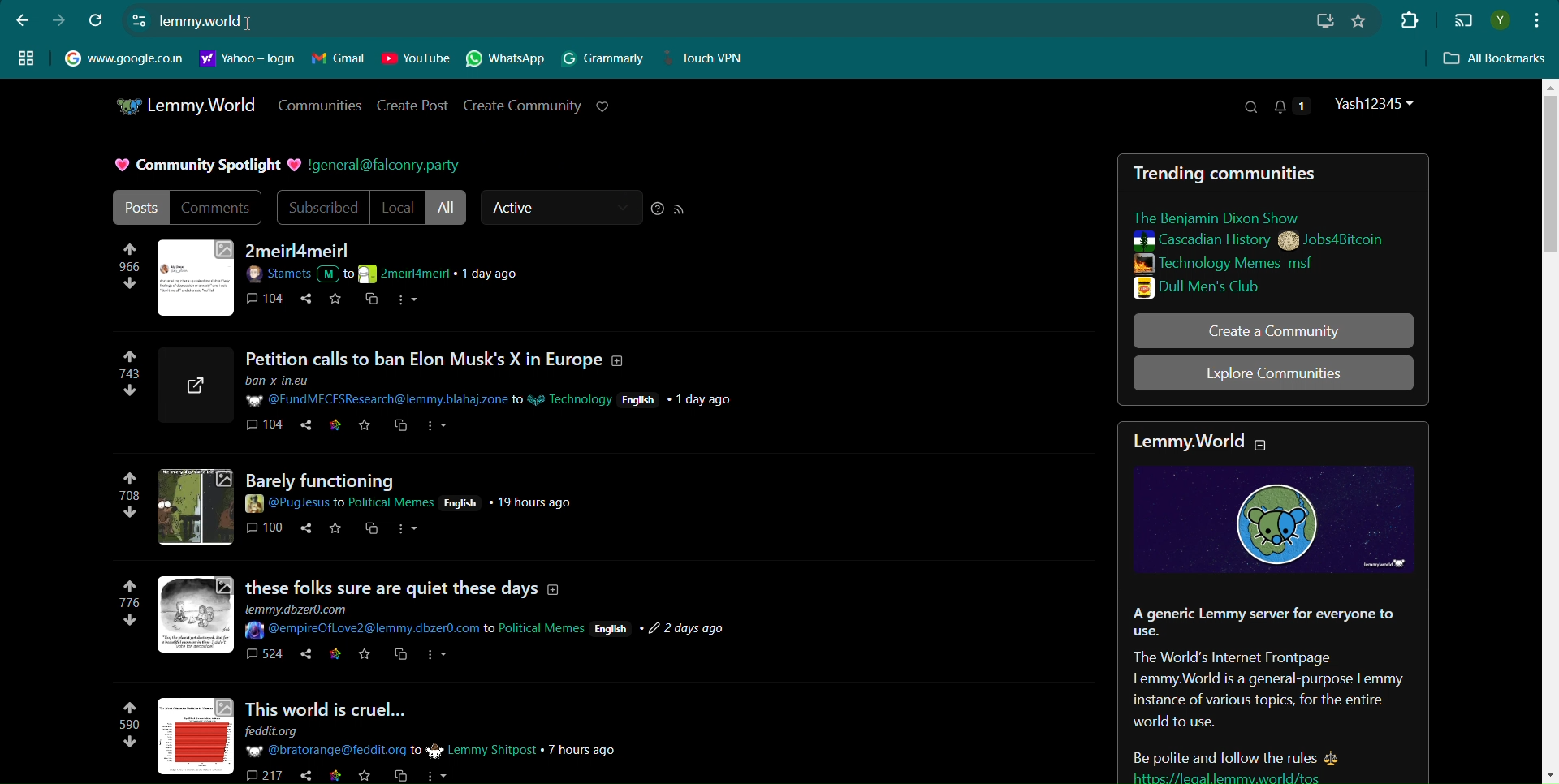 This screenshot has width=1559, height=784. I want to click on share, so click(300, 657).